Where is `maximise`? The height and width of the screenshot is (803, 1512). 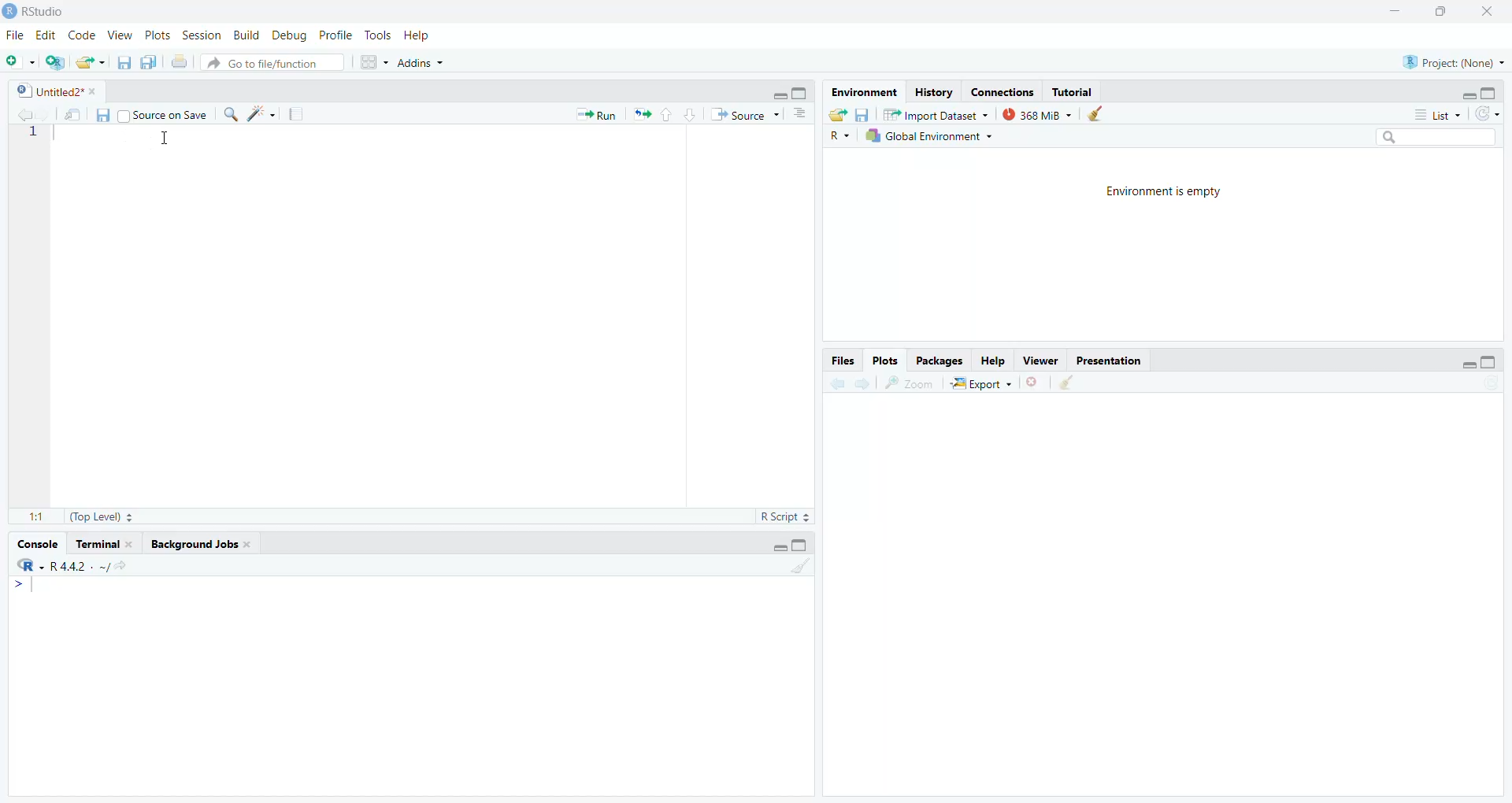
maximise is located at coordinates (806, 546).